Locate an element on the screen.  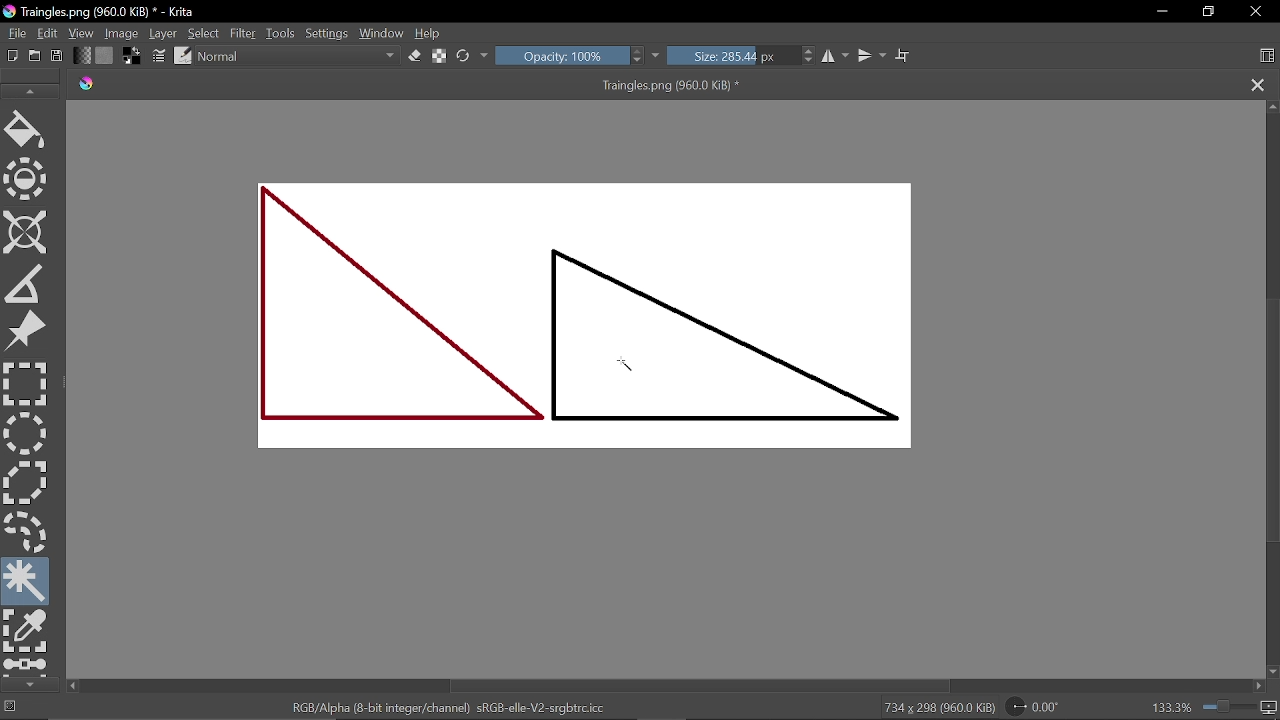
Fill gradient is located at coordinates (82, 55).